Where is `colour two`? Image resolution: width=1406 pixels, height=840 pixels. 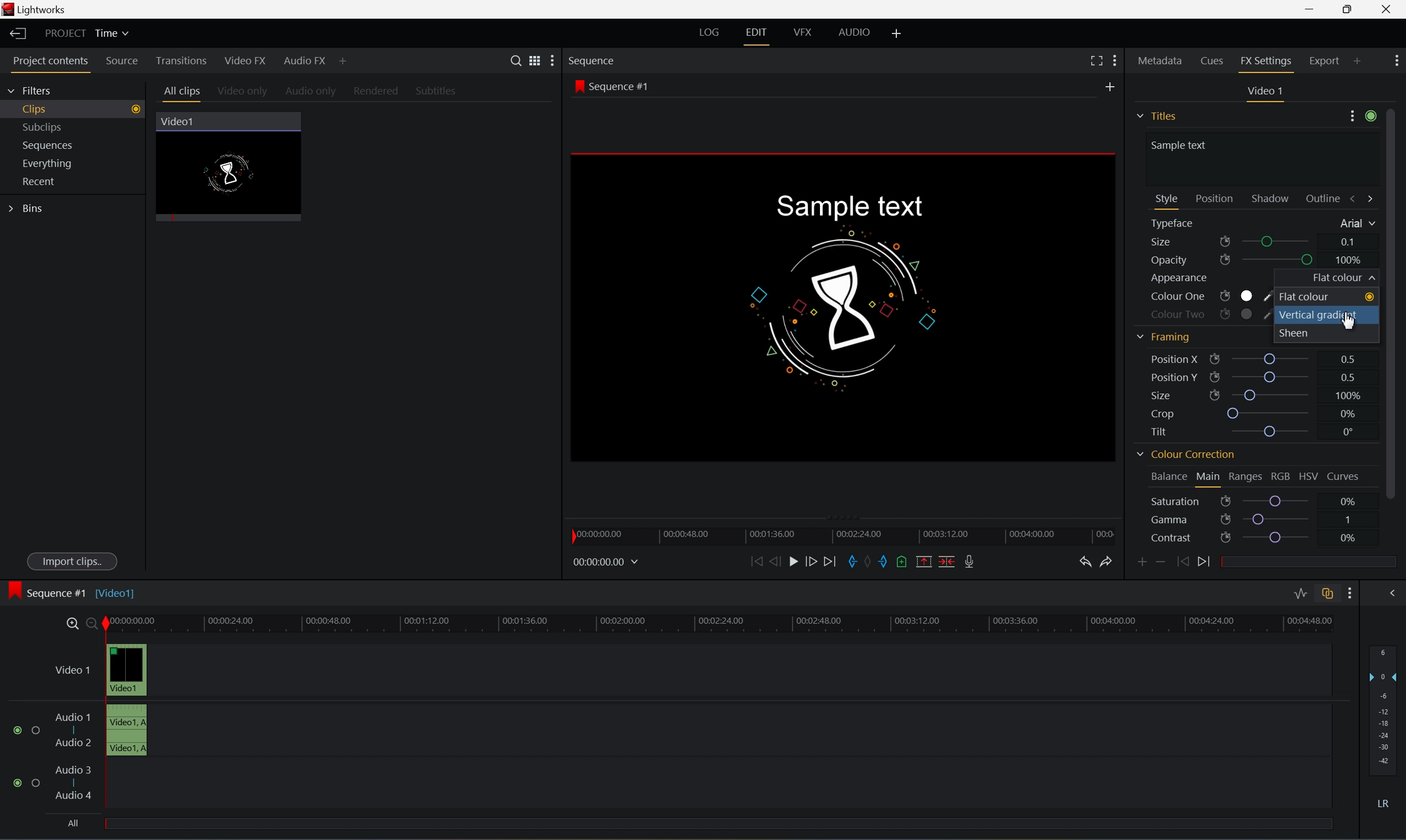 colour two is located at coordinates (1204, 312).